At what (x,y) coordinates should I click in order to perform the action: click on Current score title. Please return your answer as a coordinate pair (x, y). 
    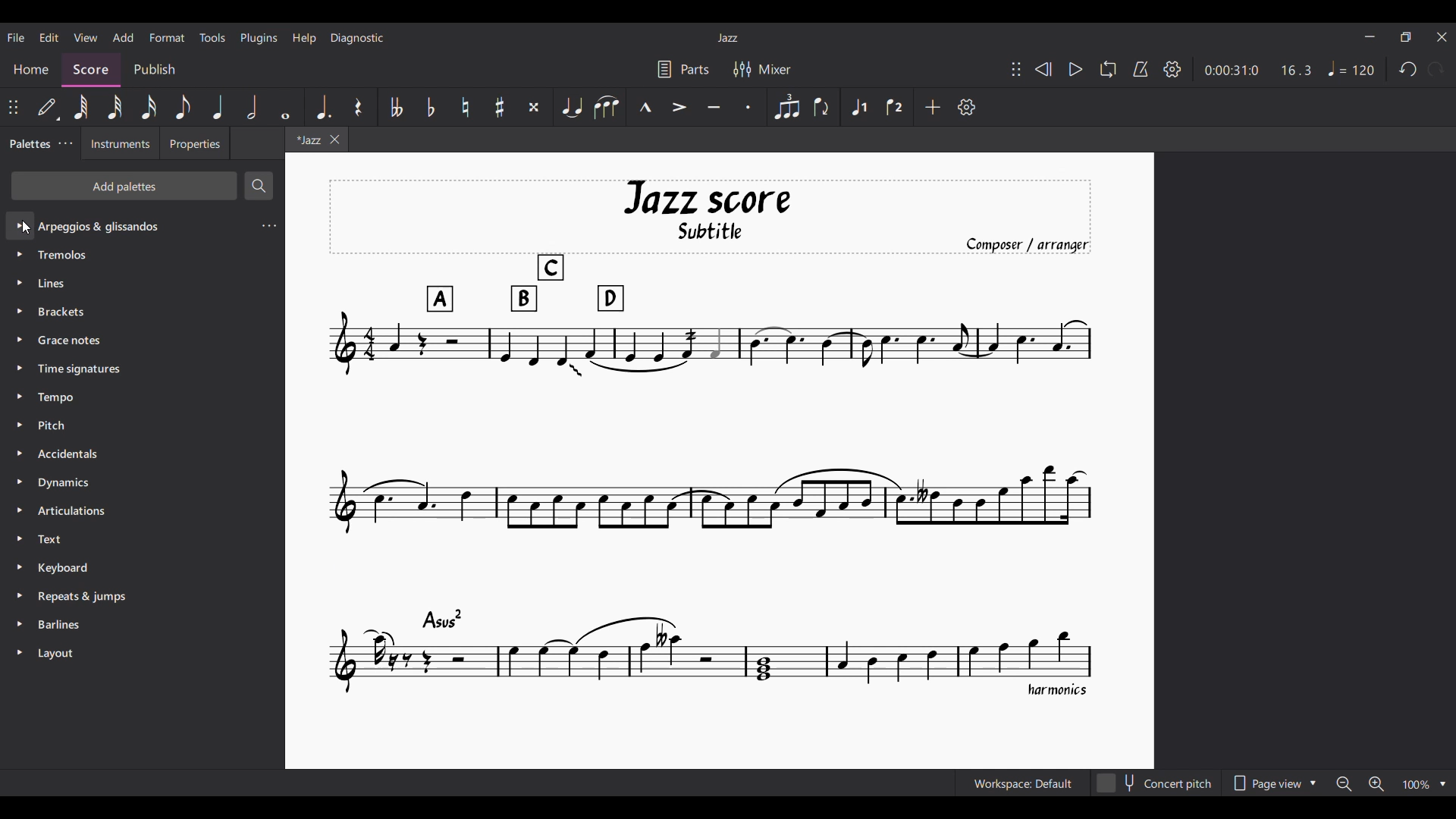
    Looking at the image, I should click on (728, 38).